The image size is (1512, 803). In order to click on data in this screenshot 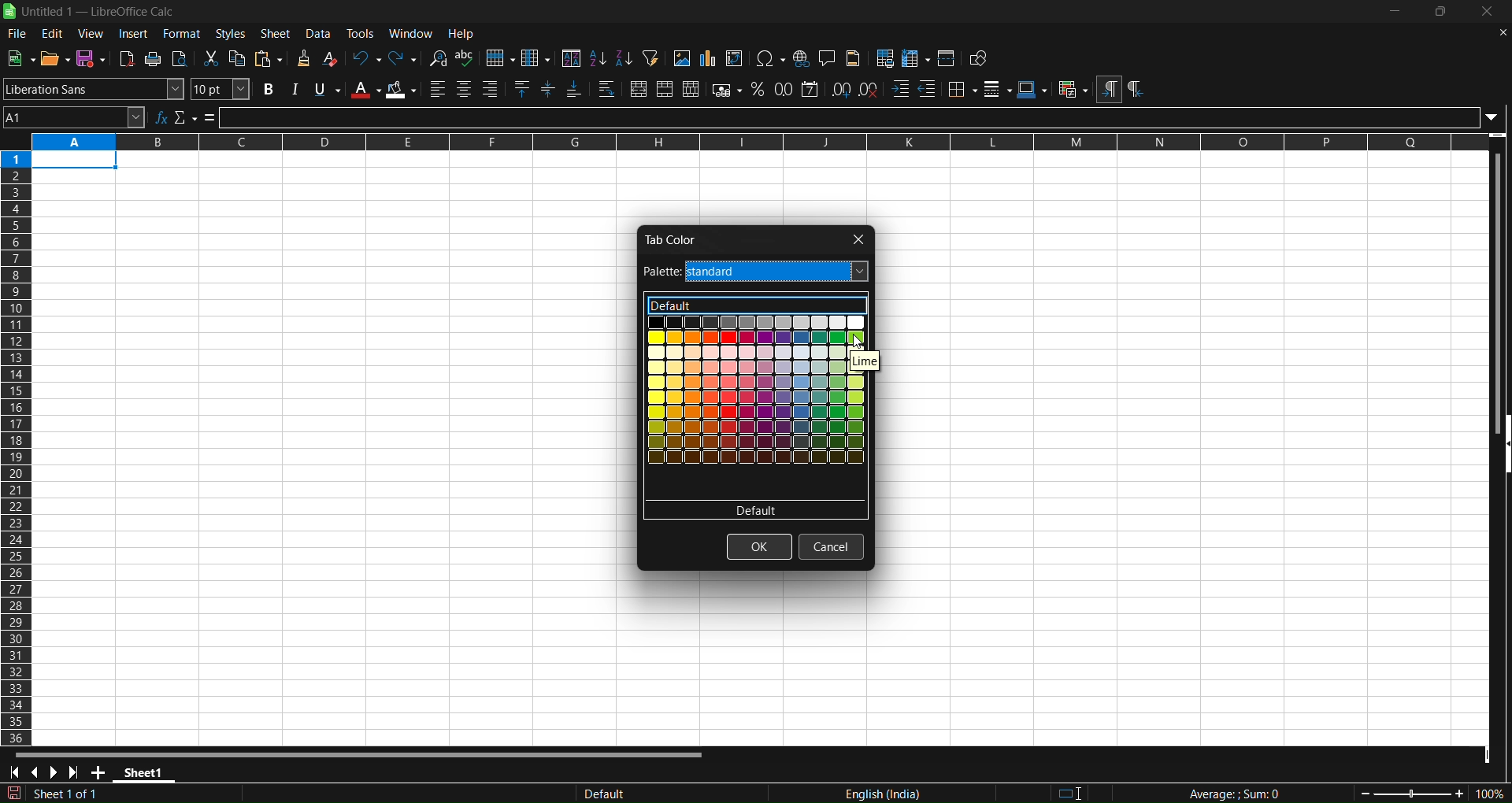, I will do `click(322, 33)`.